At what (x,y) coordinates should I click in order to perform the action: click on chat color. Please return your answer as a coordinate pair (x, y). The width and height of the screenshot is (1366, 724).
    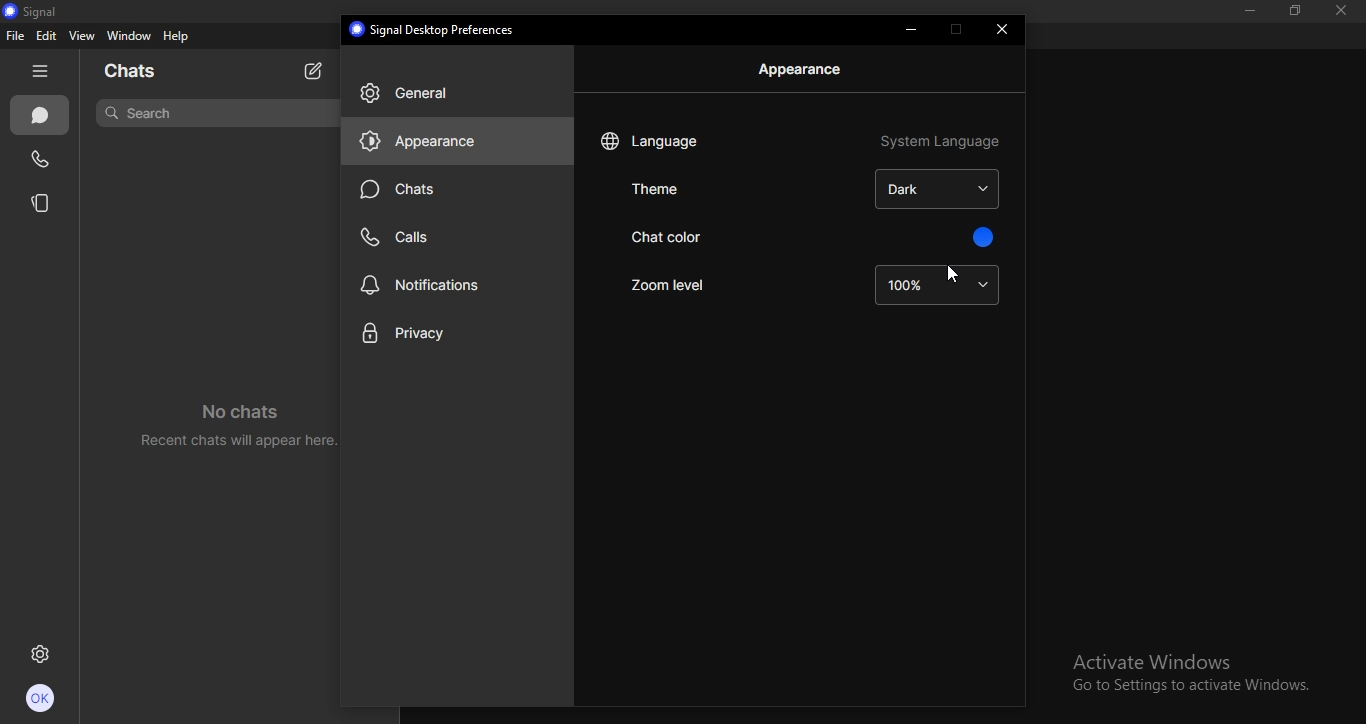
    Looking at the image, I should click on (702, 237).